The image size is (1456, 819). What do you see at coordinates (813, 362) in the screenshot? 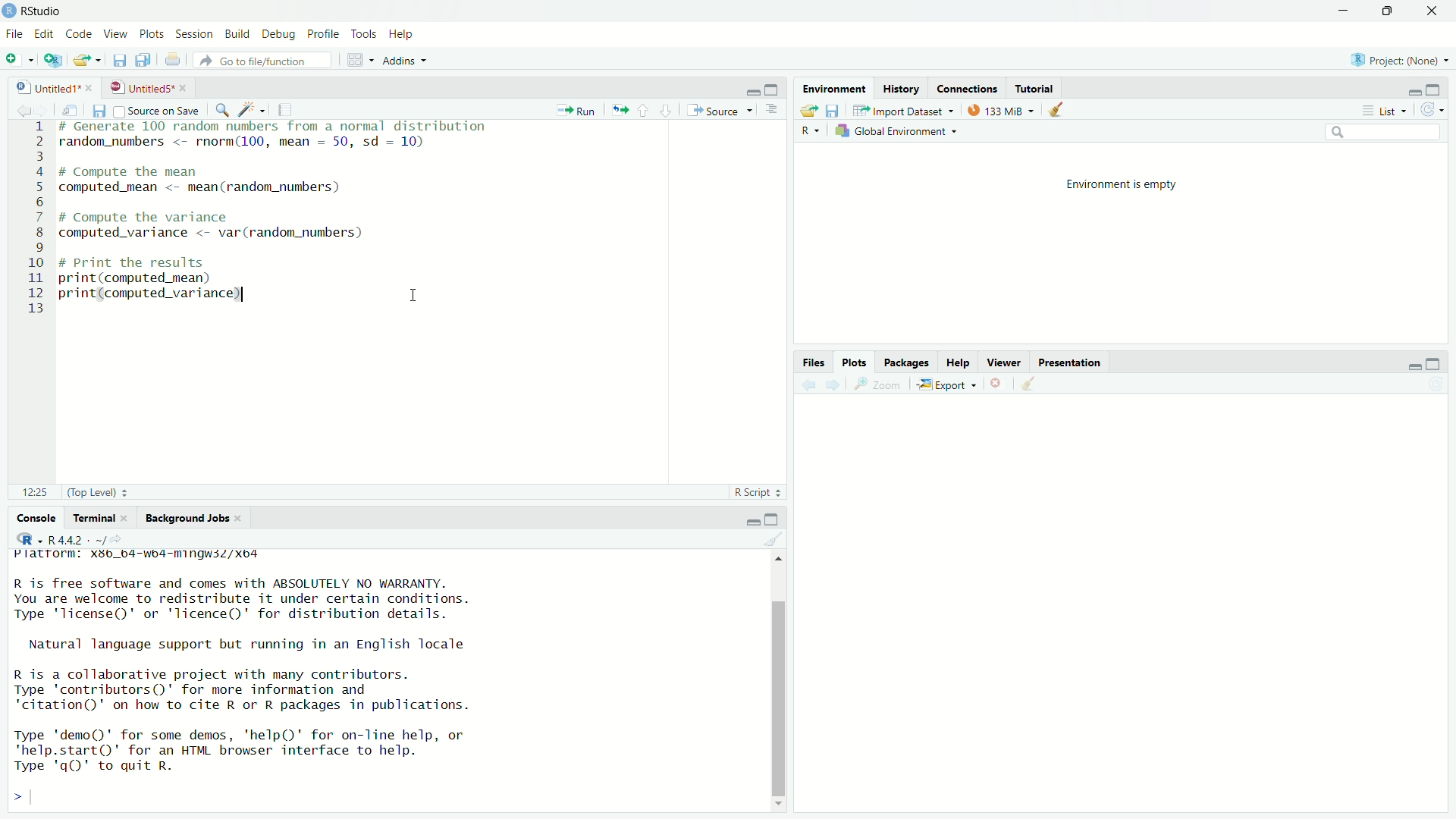
I see `files` at bounding box center [813, 362].